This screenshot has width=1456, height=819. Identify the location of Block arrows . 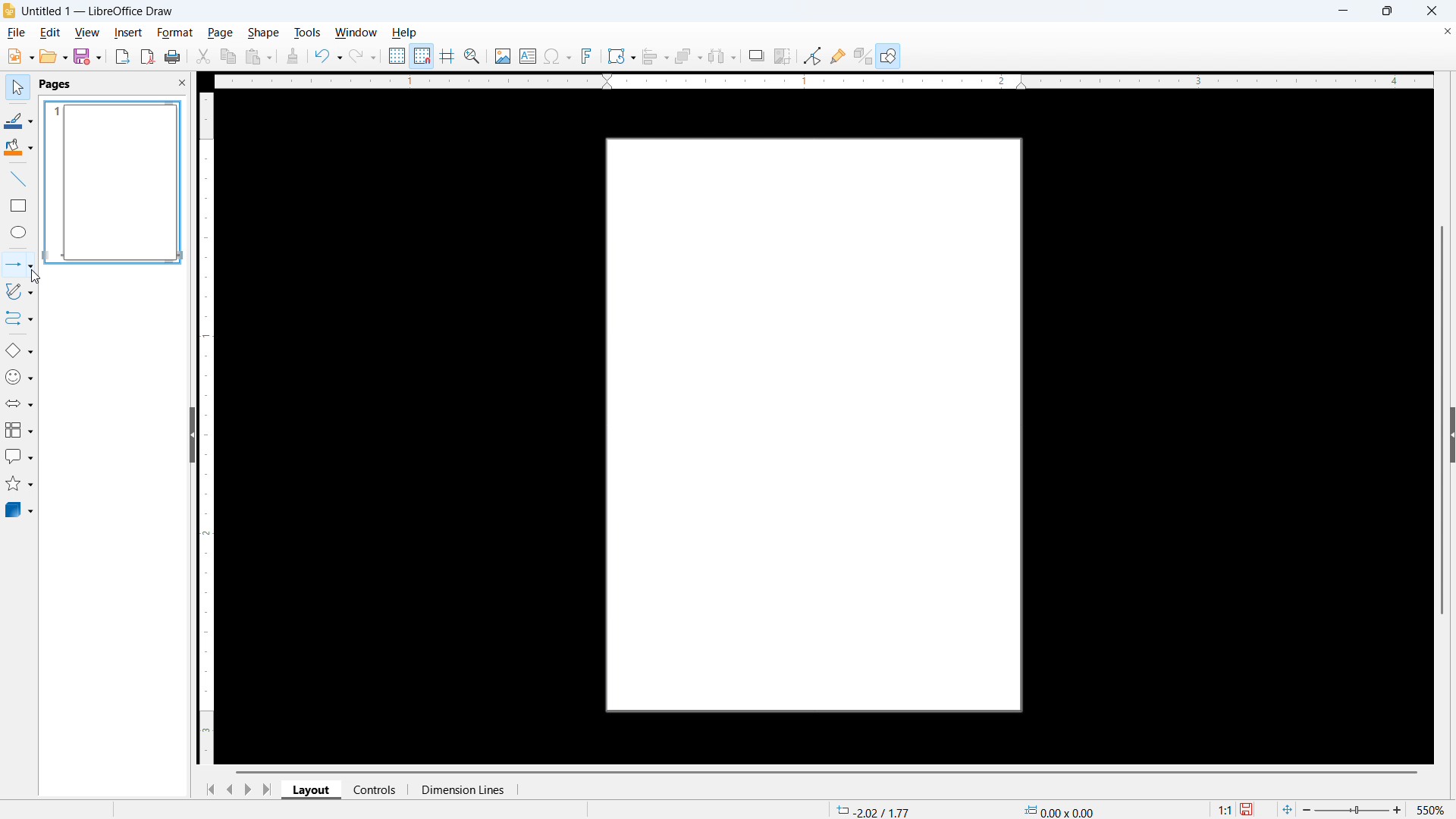
(20, 404).